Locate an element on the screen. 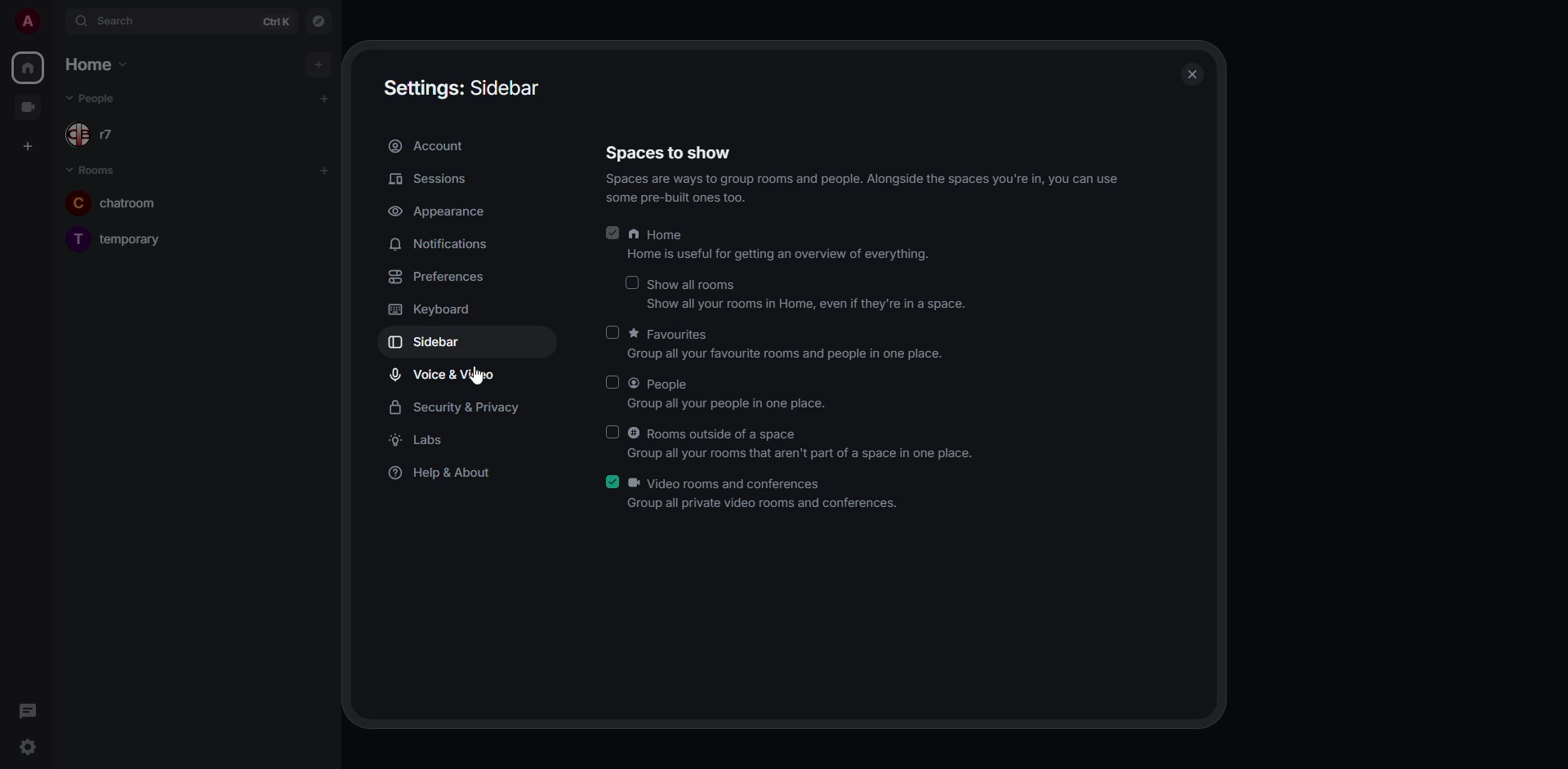  notifications is located at coordinates (442, 244).